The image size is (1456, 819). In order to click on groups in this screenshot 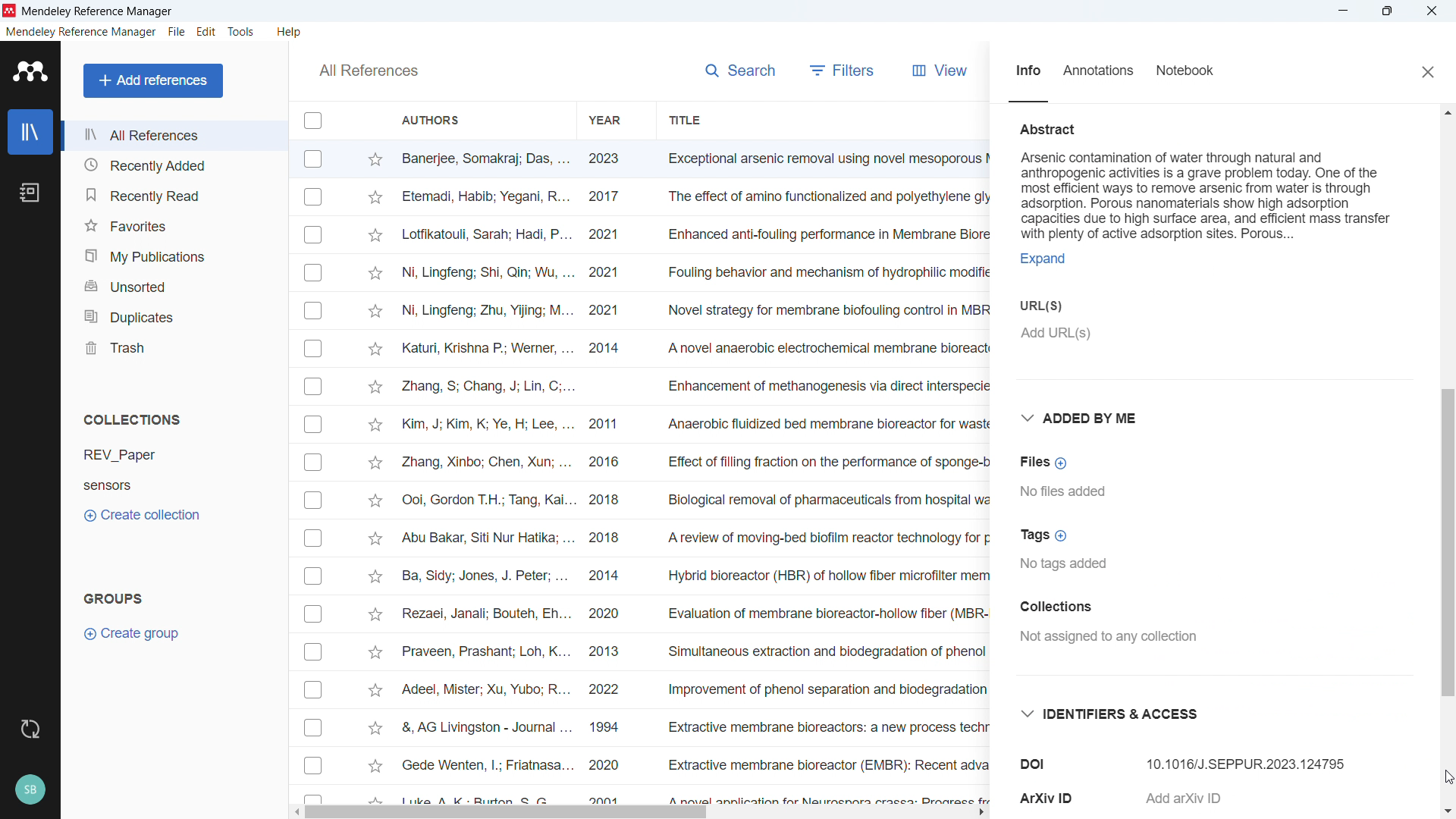, I will do `click(111, 597)`.